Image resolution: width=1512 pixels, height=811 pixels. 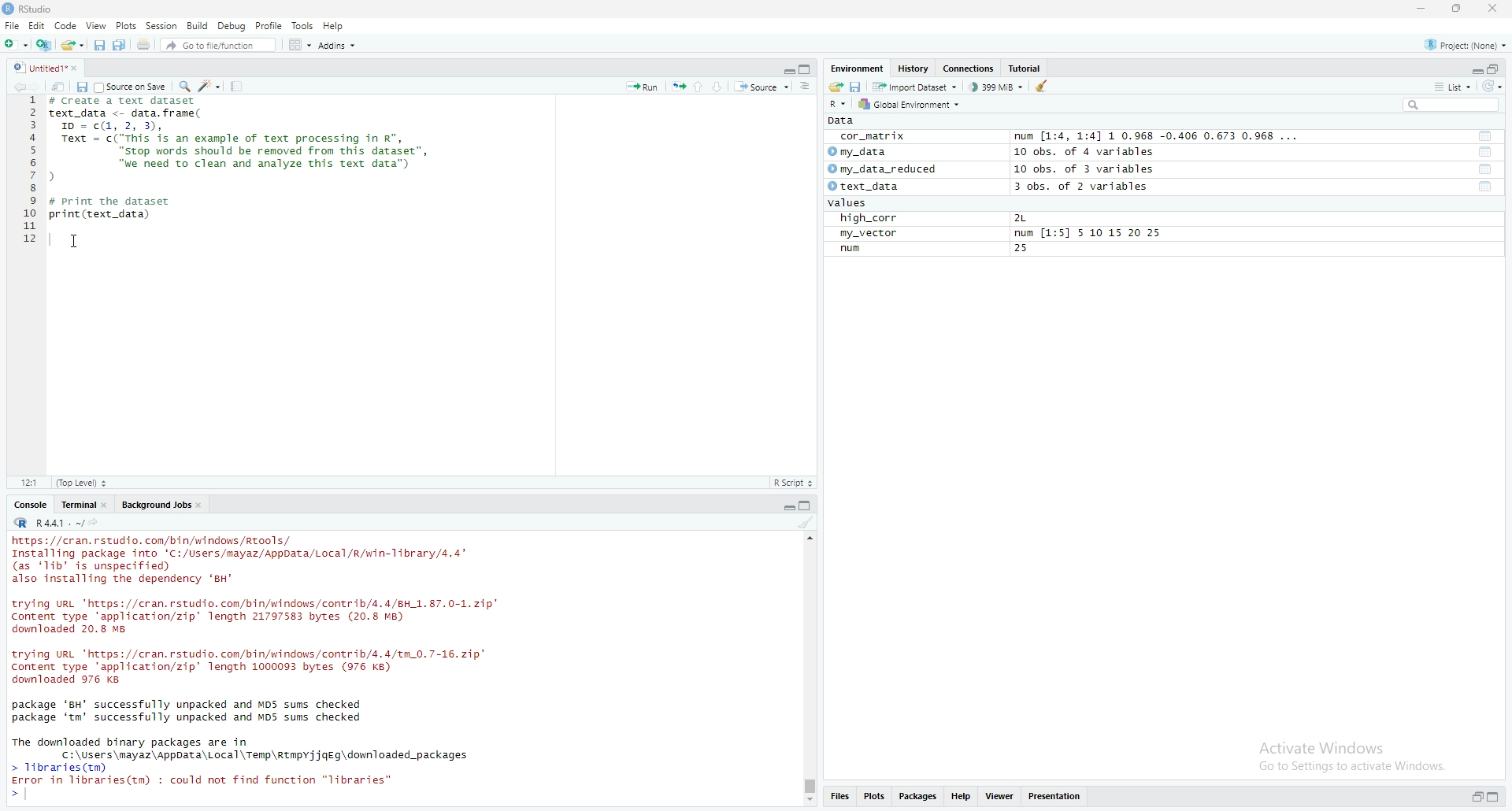 What do you see at coordinates (847, 249) in the screenshot?
I see `run` at bounding box center [847, 249].